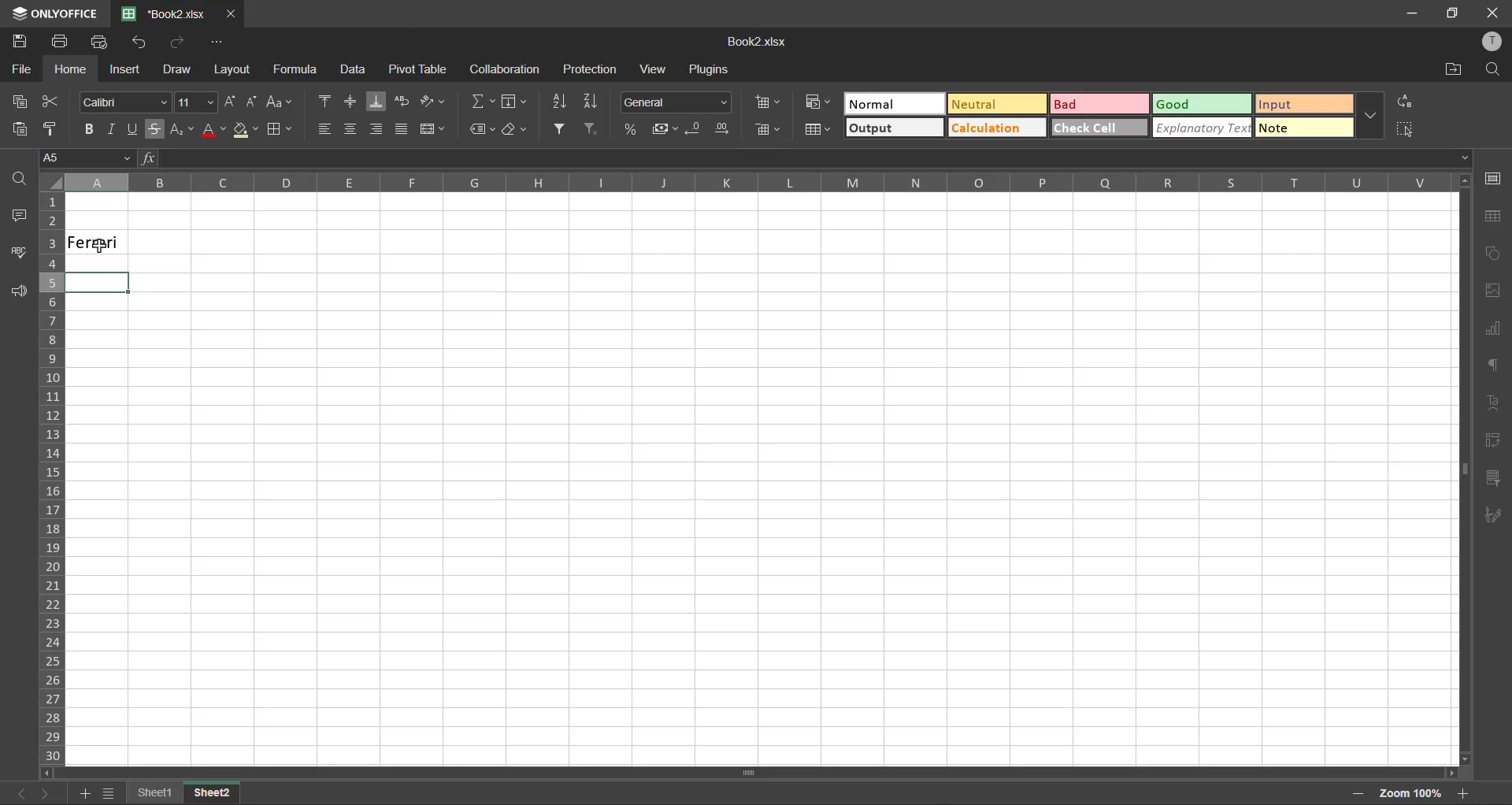 The width and height of the screenshot is (1512, 805). Describe the element at coordinates (886, 102) in the screenshot. I see `normal` at that location.